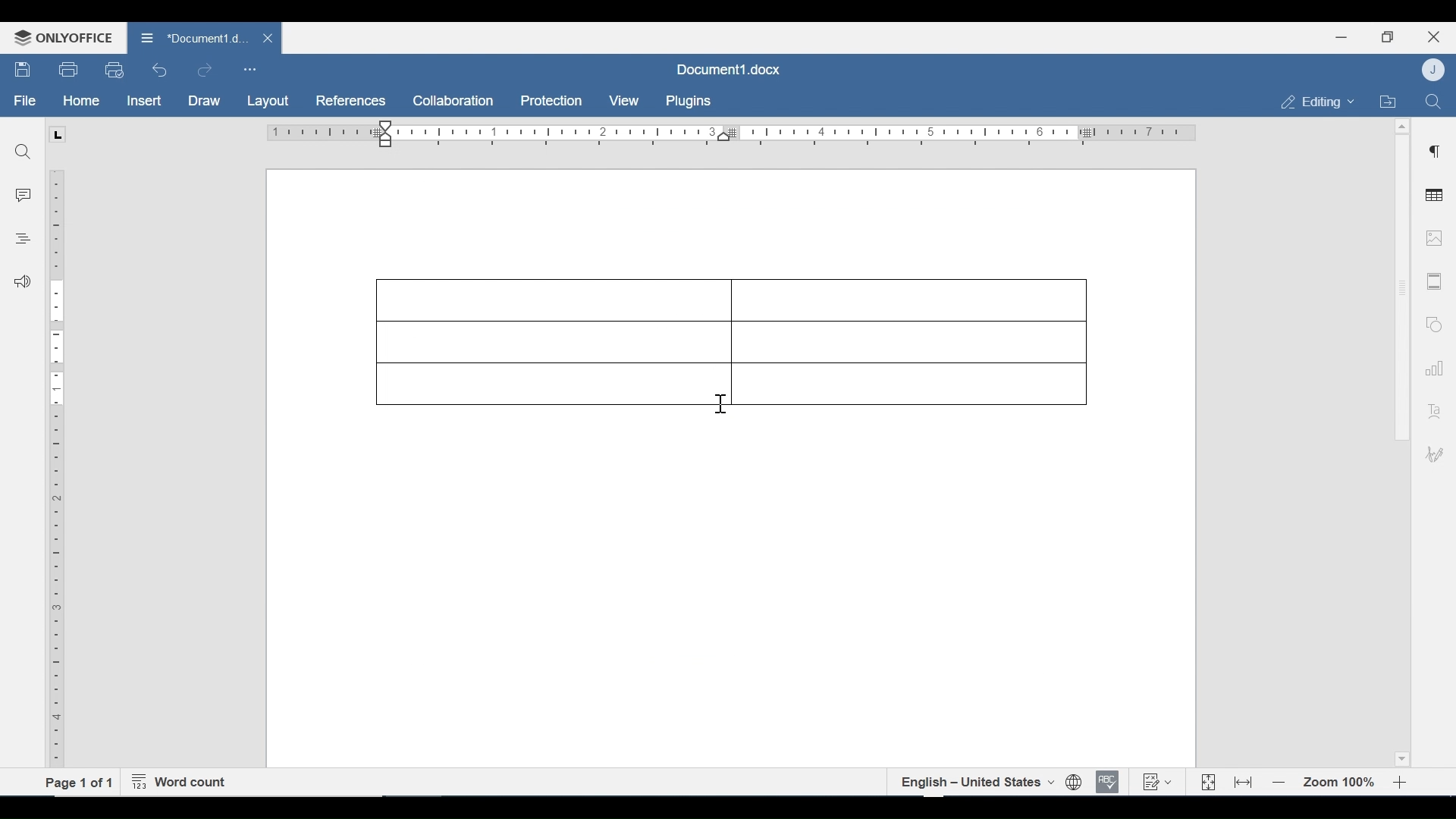 Image resolution: width=1456 pixels, height=819 pixels. What do you see at coordinates (976, 782) in the screenshot?
I see `English-United states` at bounding box center [976, 782].